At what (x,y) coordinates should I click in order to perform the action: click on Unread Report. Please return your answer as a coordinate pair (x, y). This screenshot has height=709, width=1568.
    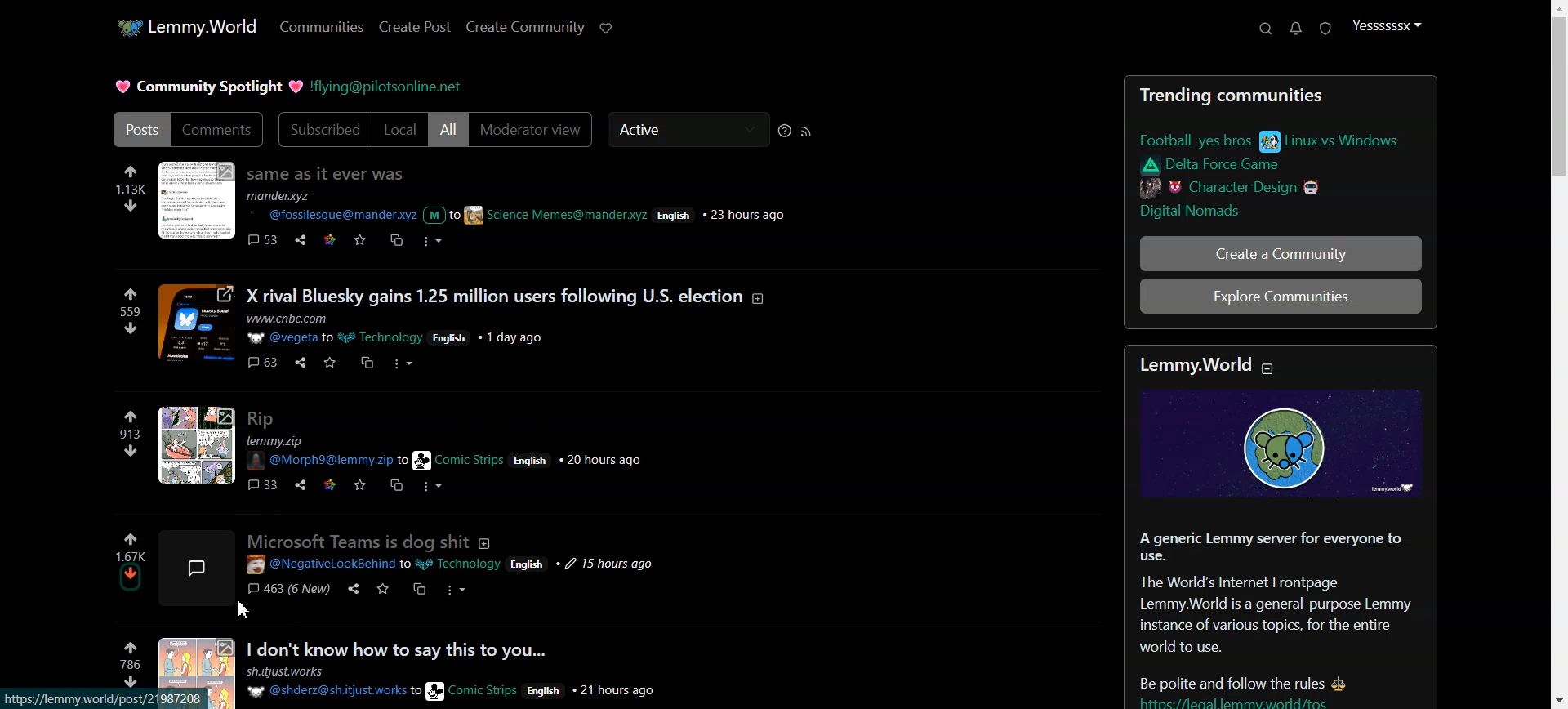
    Looking at the image, I should click on (1325, 29).